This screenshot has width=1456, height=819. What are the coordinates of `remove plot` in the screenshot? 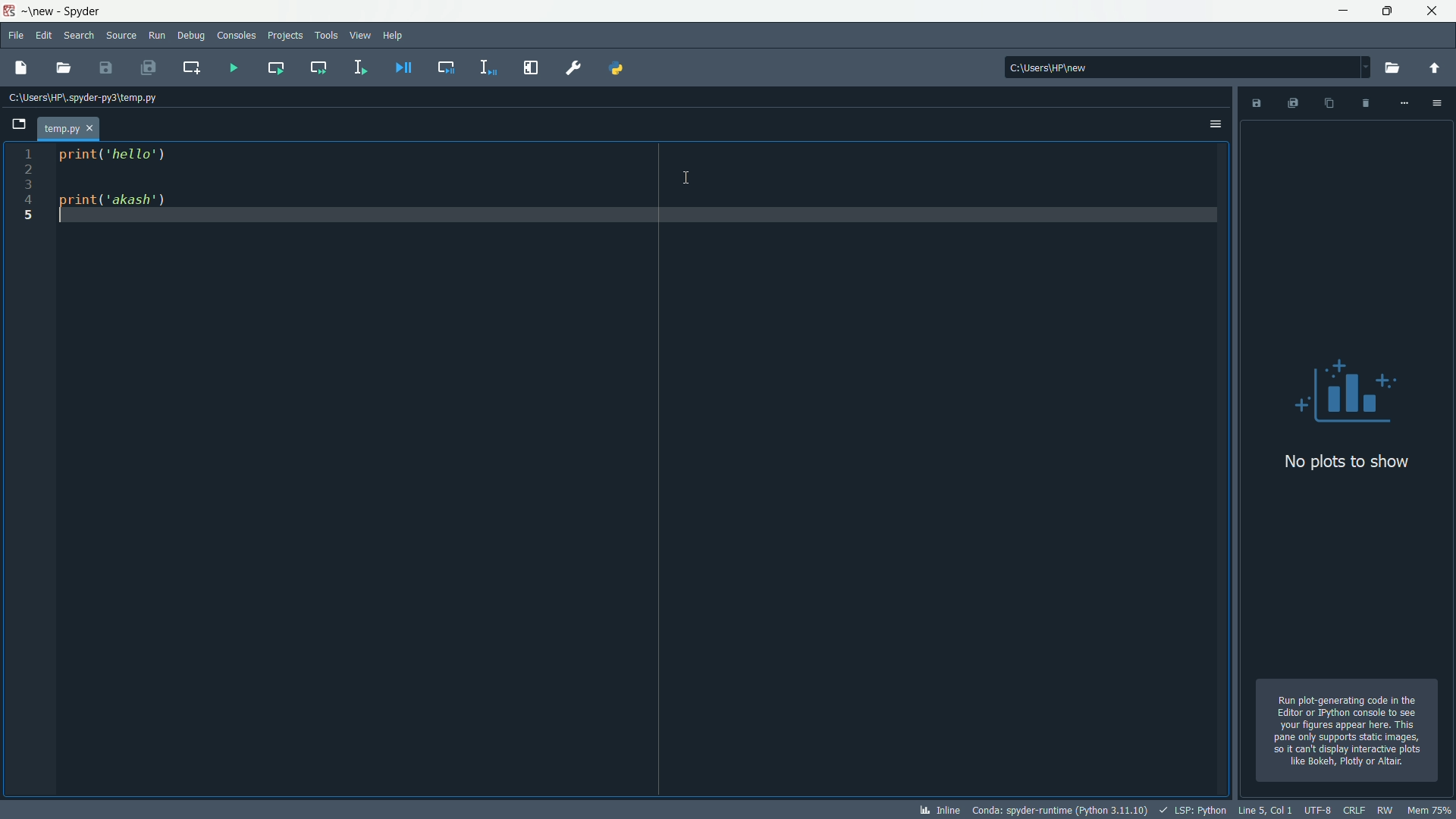 It's located at (1364, 103).